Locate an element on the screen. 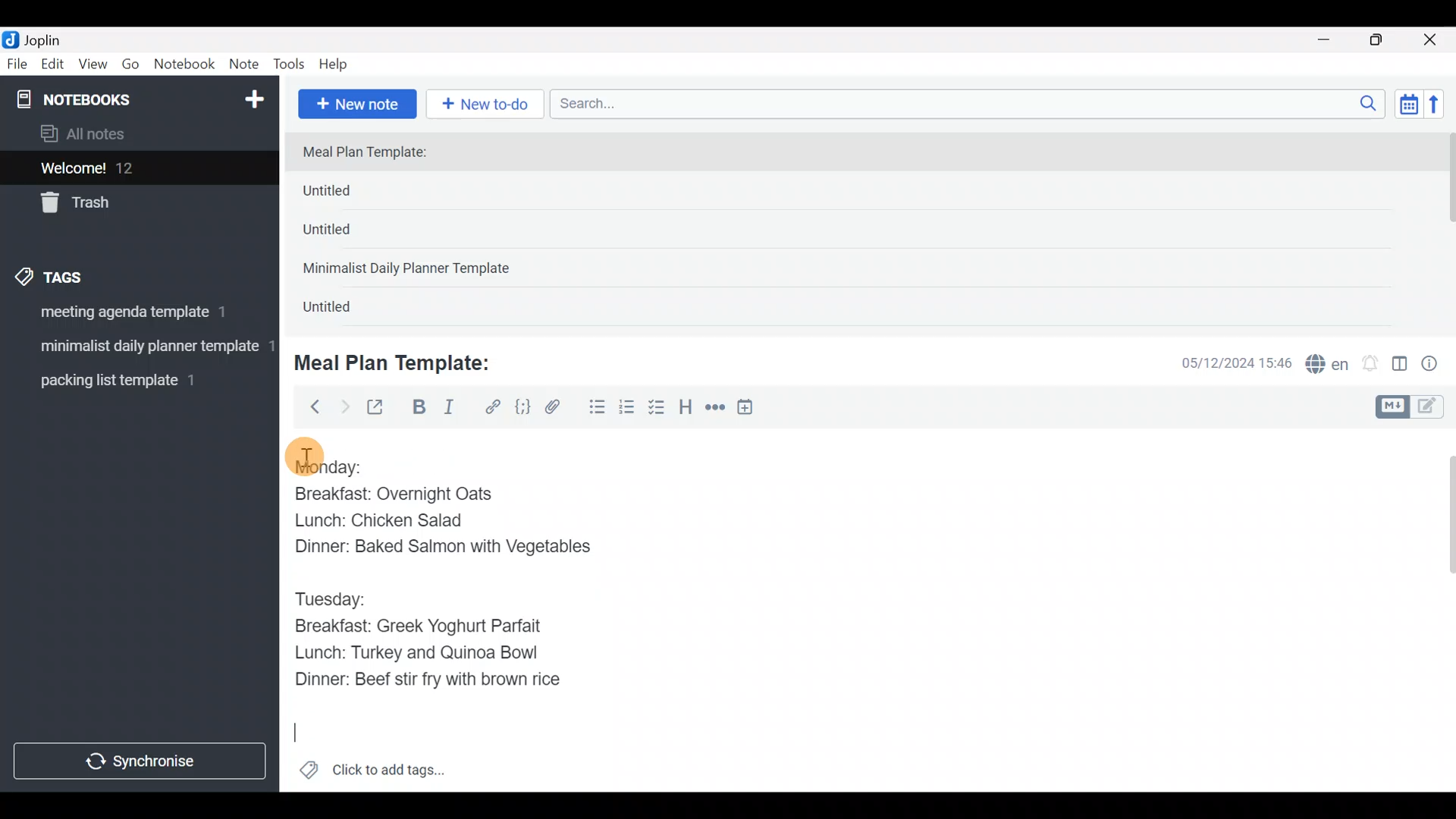 The image size is (1456, 819). Numbered list is located at coordinates (627, 410).